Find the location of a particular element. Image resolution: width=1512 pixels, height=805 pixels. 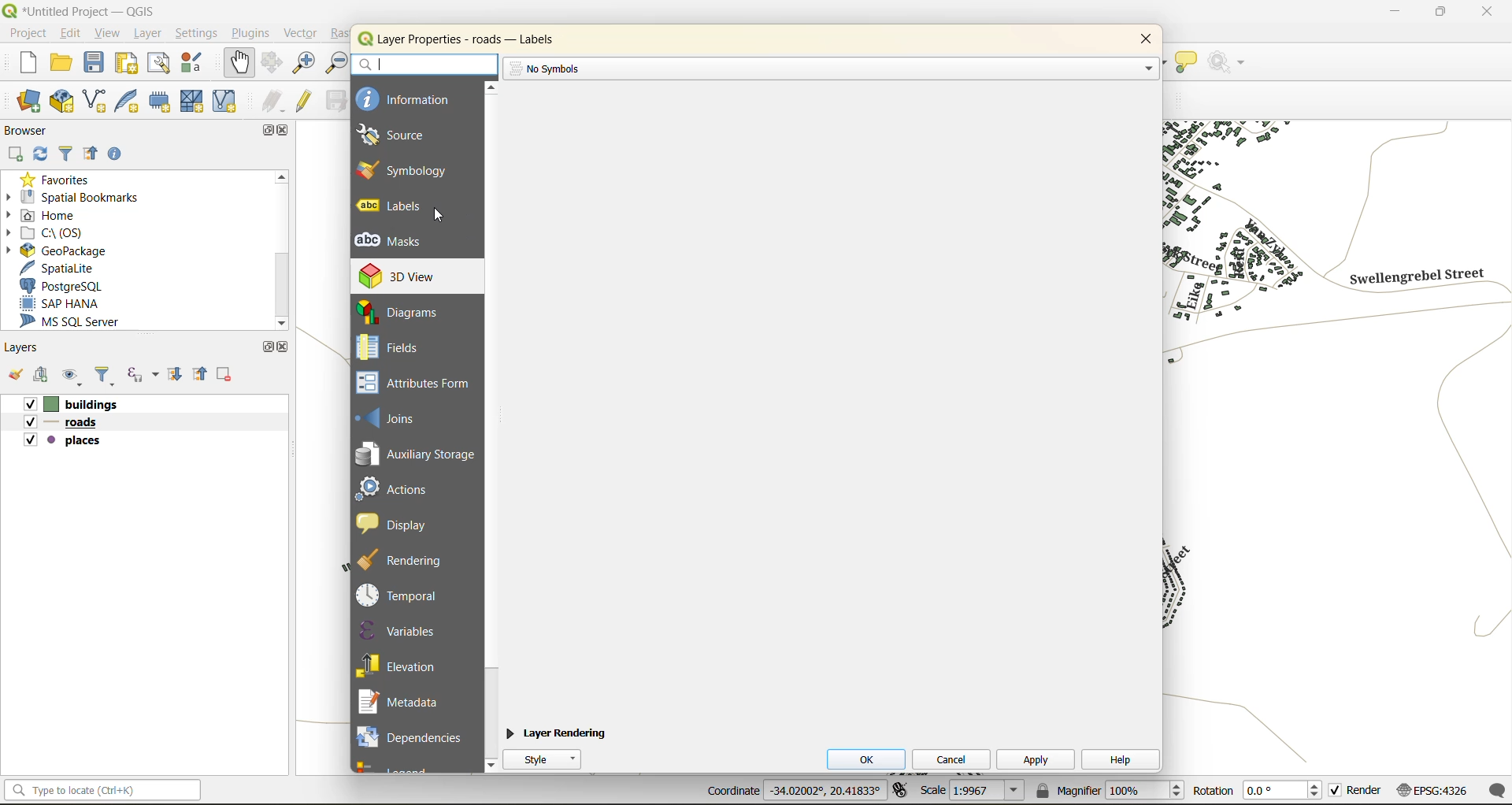

help is located at coordinates (1119, 759).